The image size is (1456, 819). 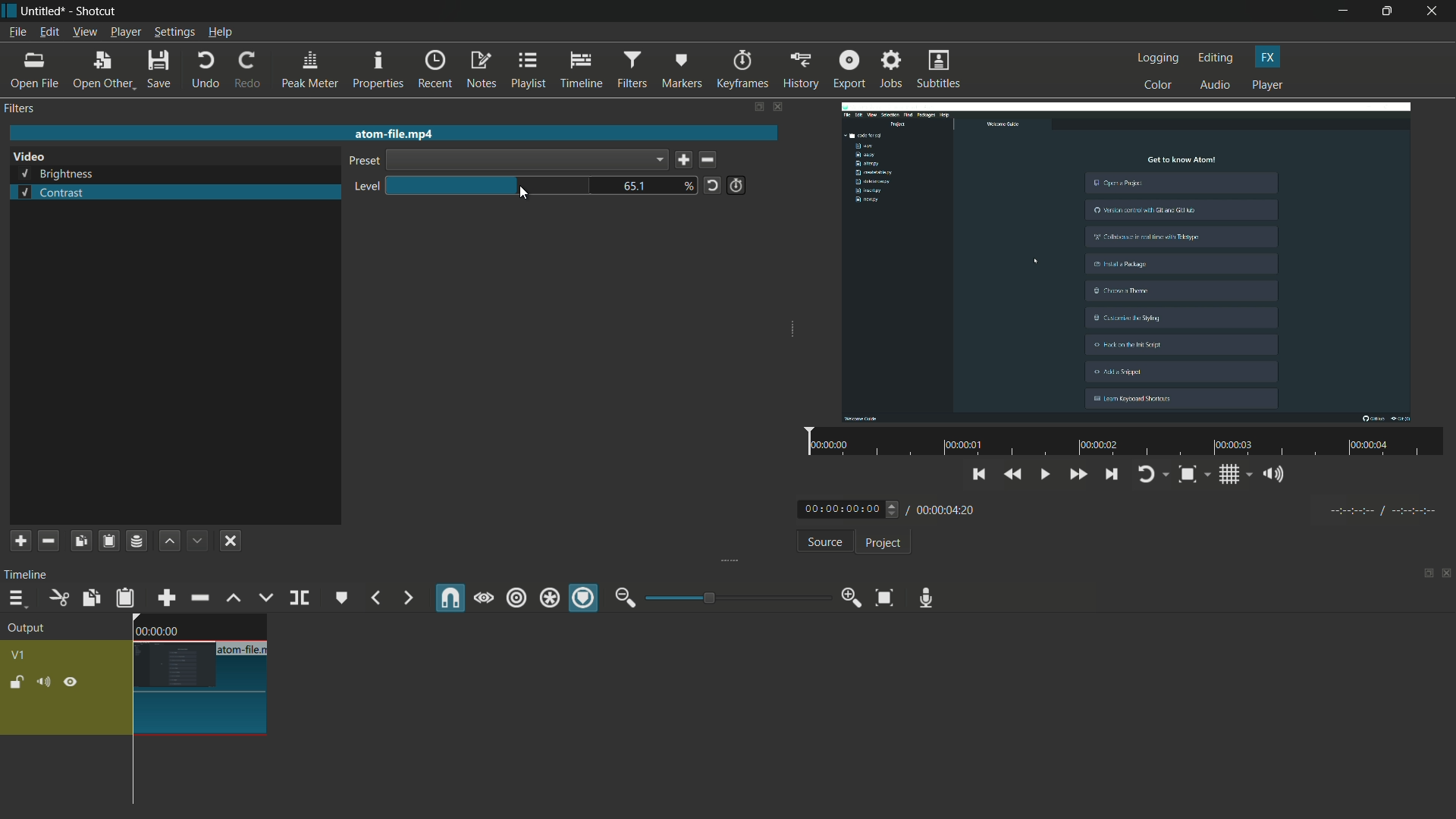 I want to click on editing, so click(x=1216, y=58).